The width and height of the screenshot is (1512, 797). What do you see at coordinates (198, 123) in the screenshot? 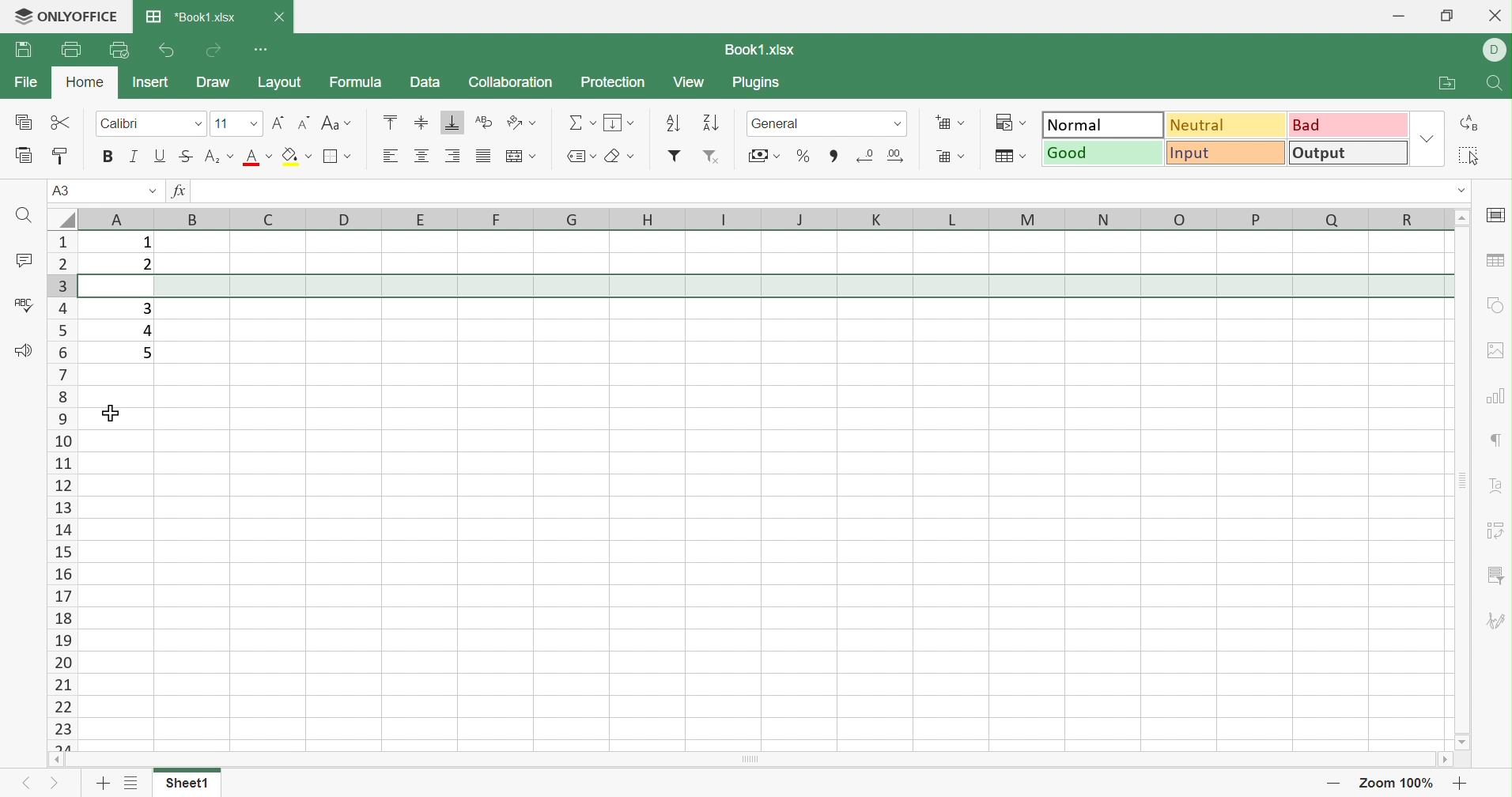
I see `Drop Down` at bounding box center [198, 123].